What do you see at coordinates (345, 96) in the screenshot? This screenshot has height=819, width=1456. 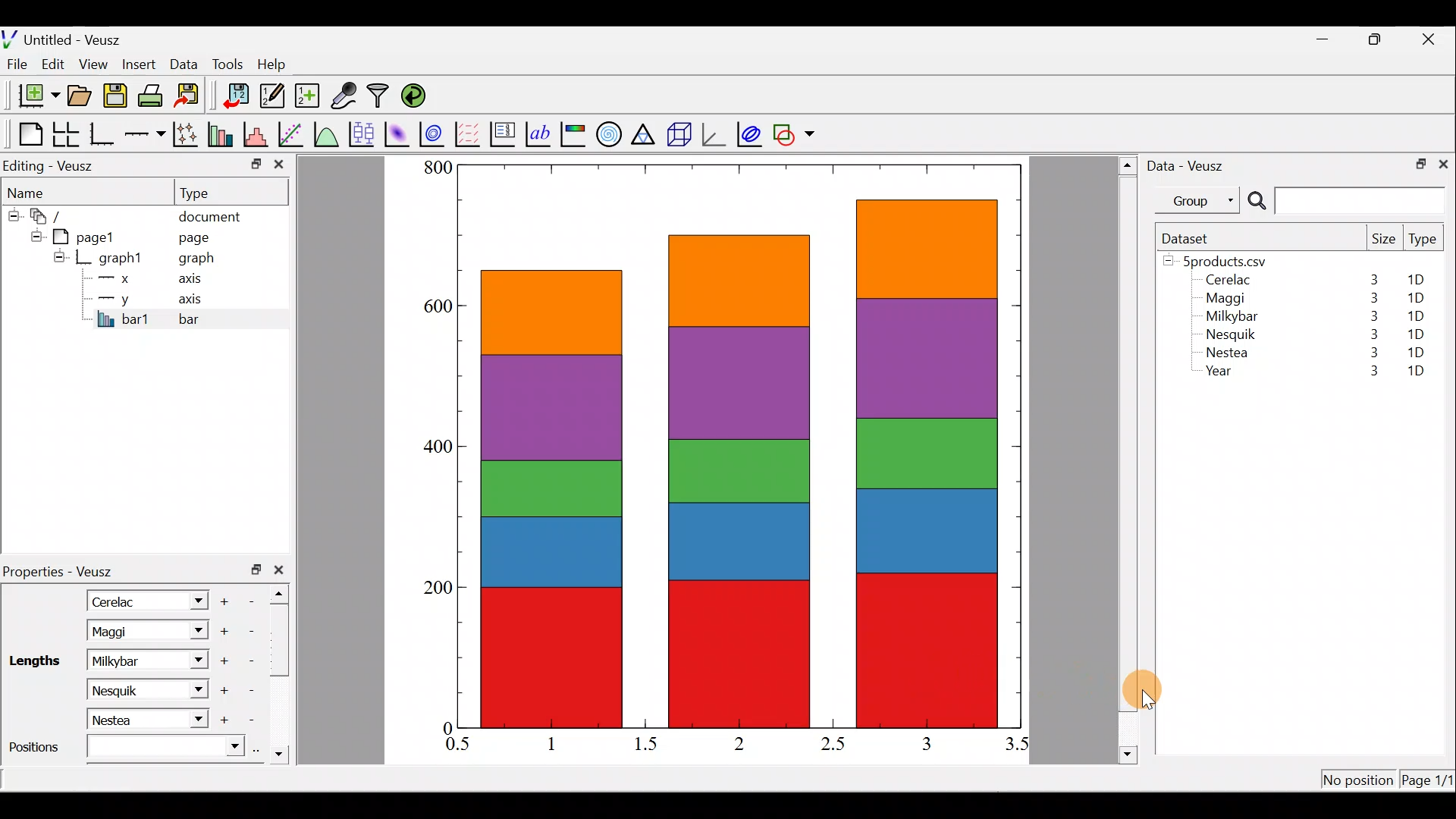 I see `Capture remote data` at bounding box center [345, 96].